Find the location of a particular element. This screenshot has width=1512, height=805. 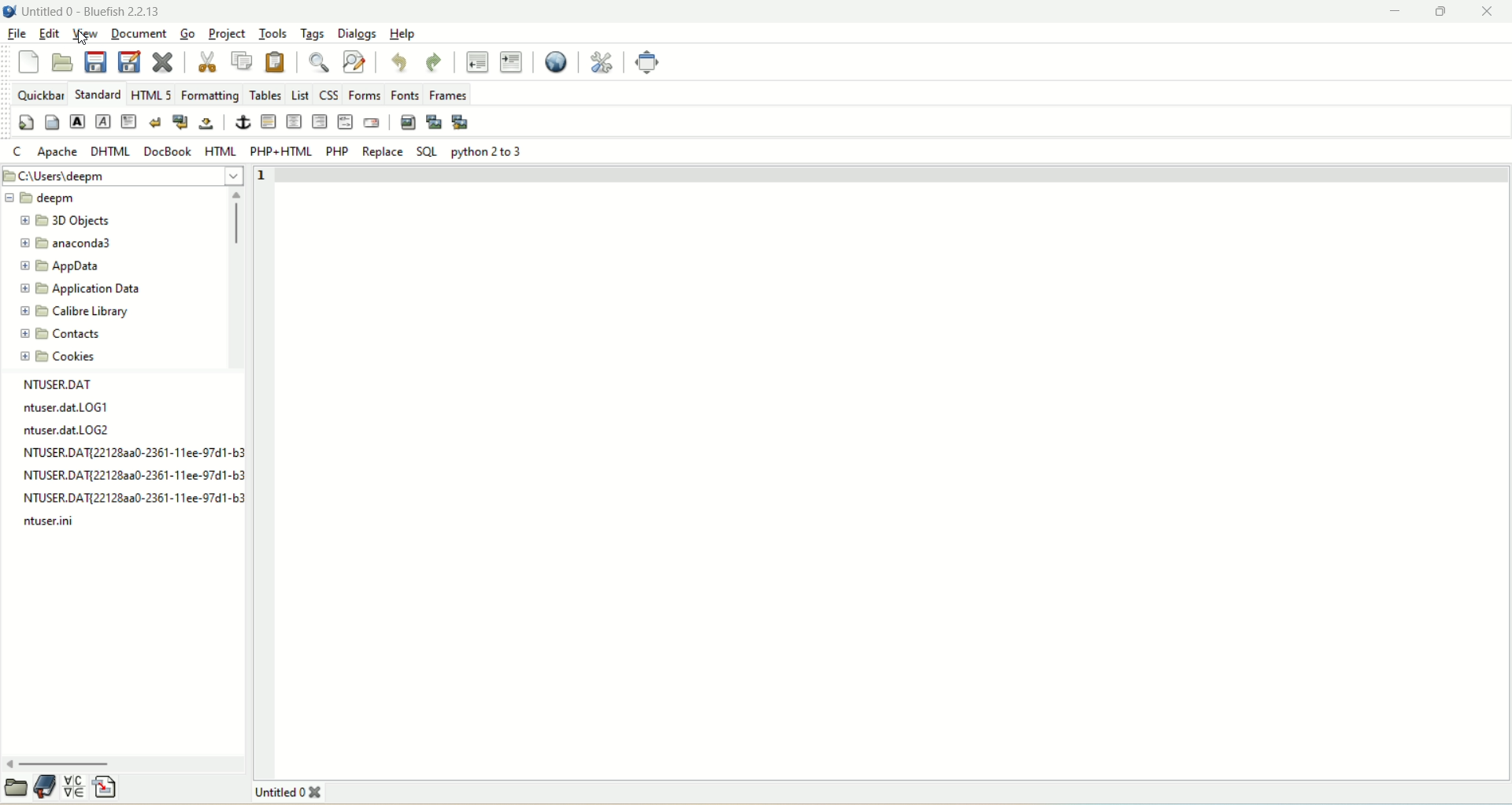

line number is located at coordinates (265, 176).